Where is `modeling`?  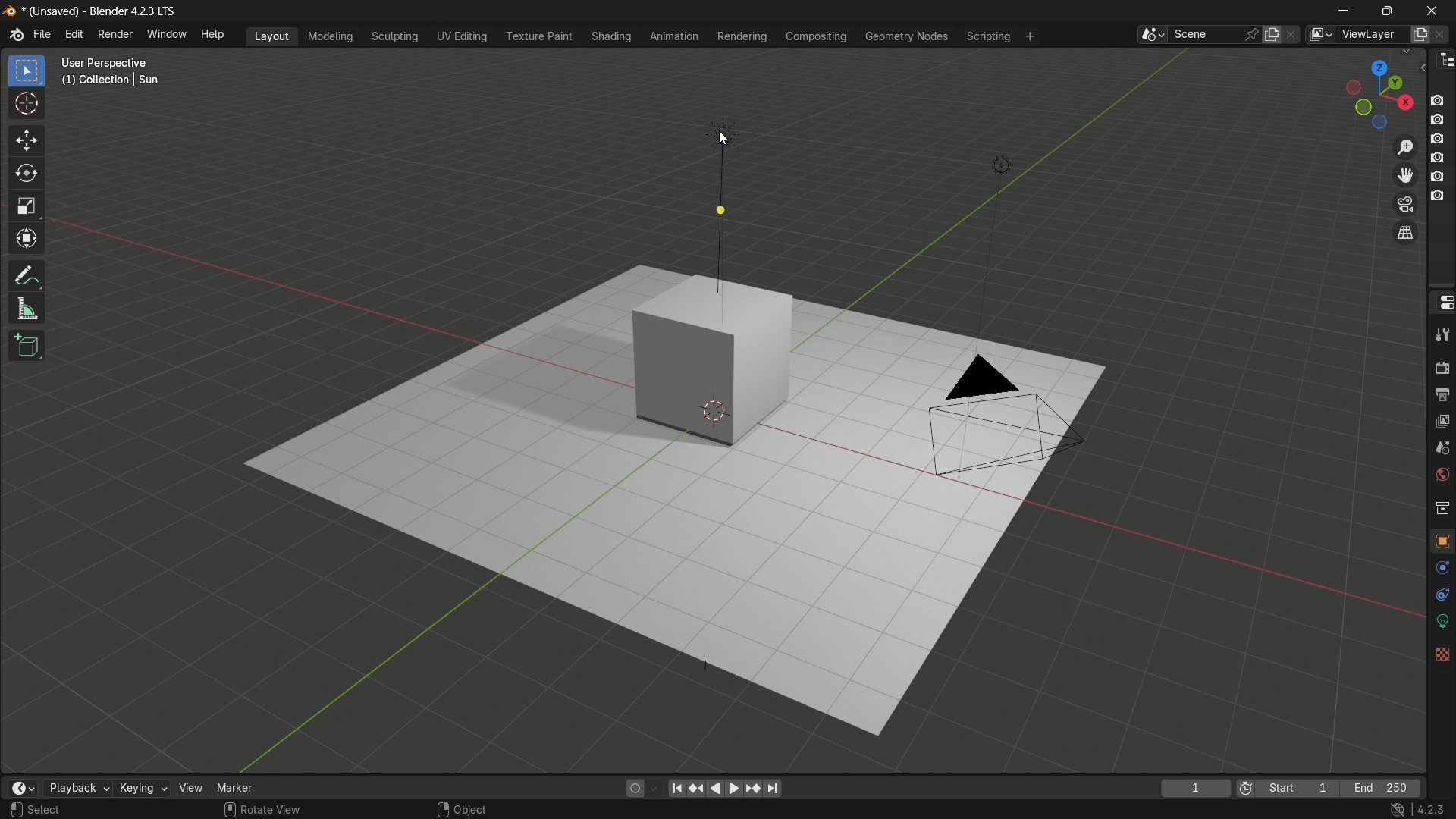 modeling is located at coordinates (329, 35).